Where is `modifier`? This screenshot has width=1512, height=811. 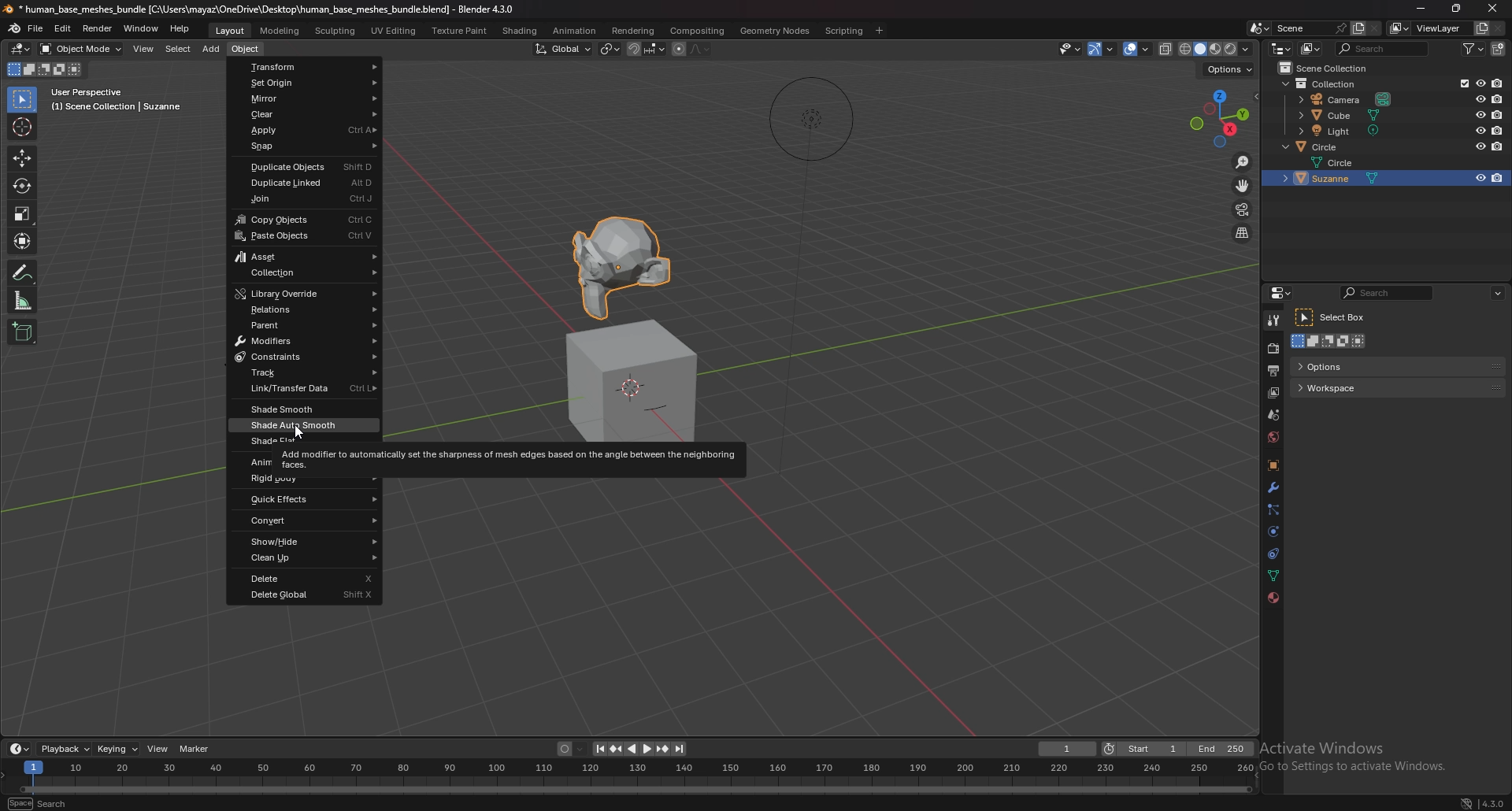 modifier is located at coordinates (1273, 488).